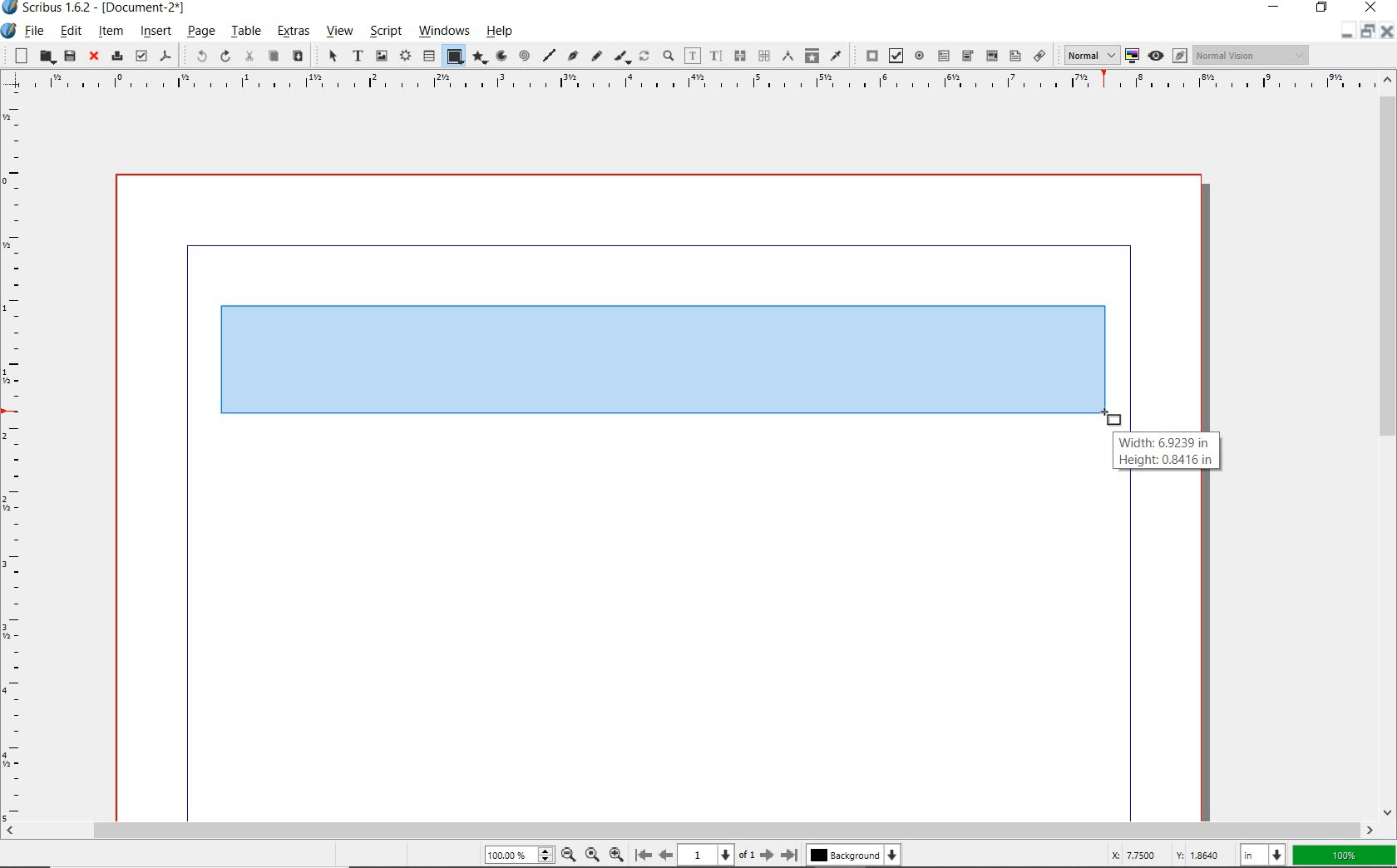  Describe the element at coordinates (738, 57) in the screenshot. I see `unlink text frames` at that location.